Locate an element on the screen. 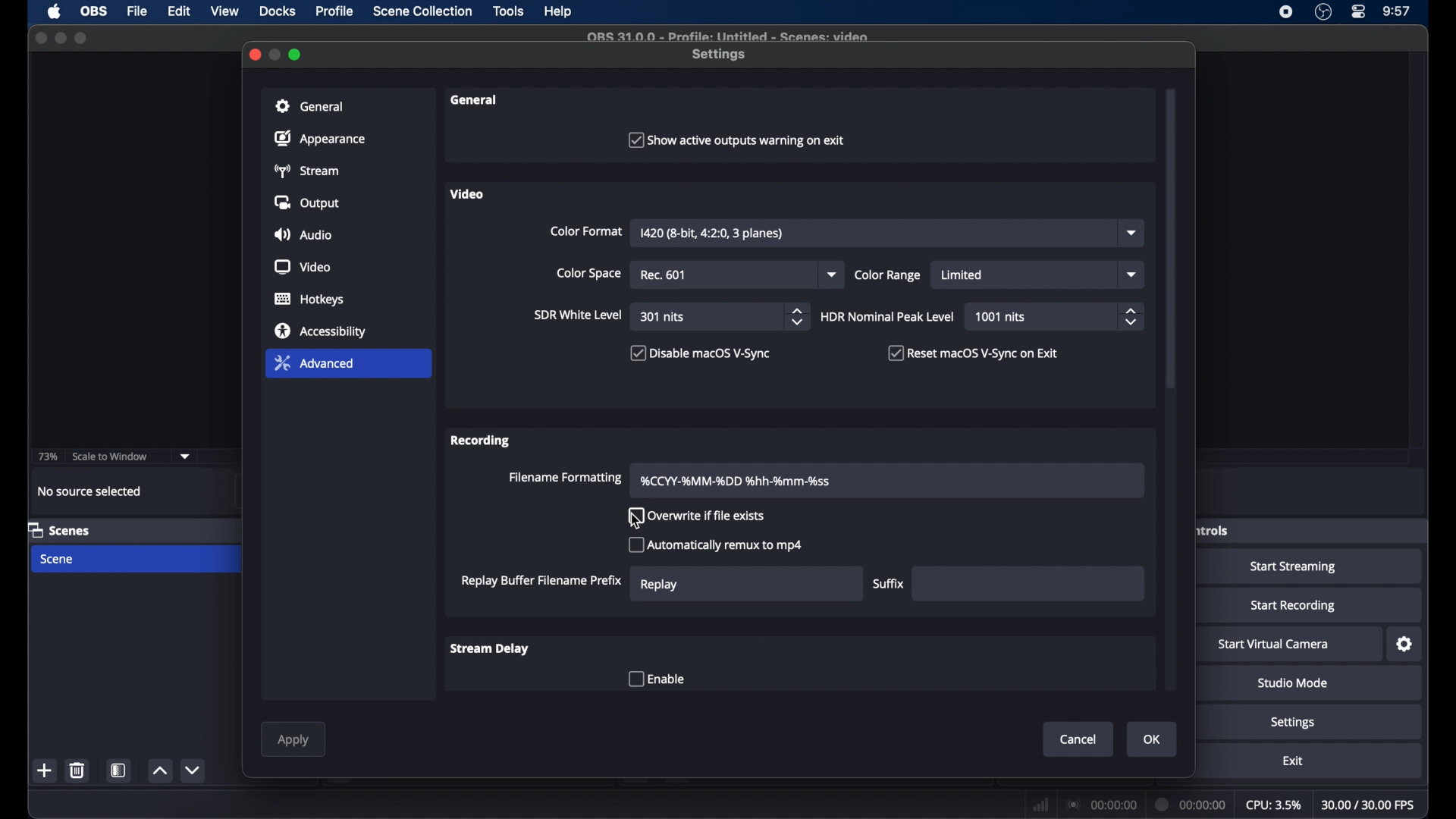 The width and height of the screenshot is (1456, 819). exit is located at coordinates (1292, 761).